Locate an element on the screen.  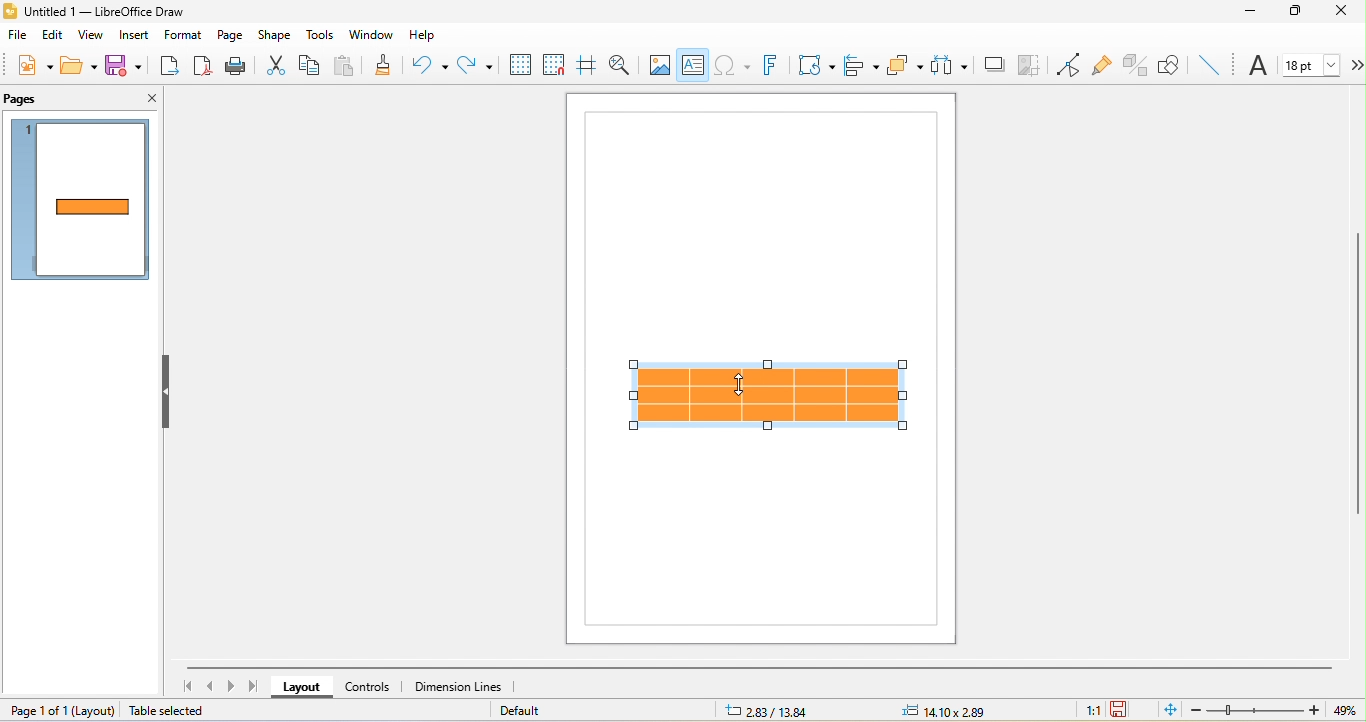
horizontal scroll bar is located at coordinates (759, 667).